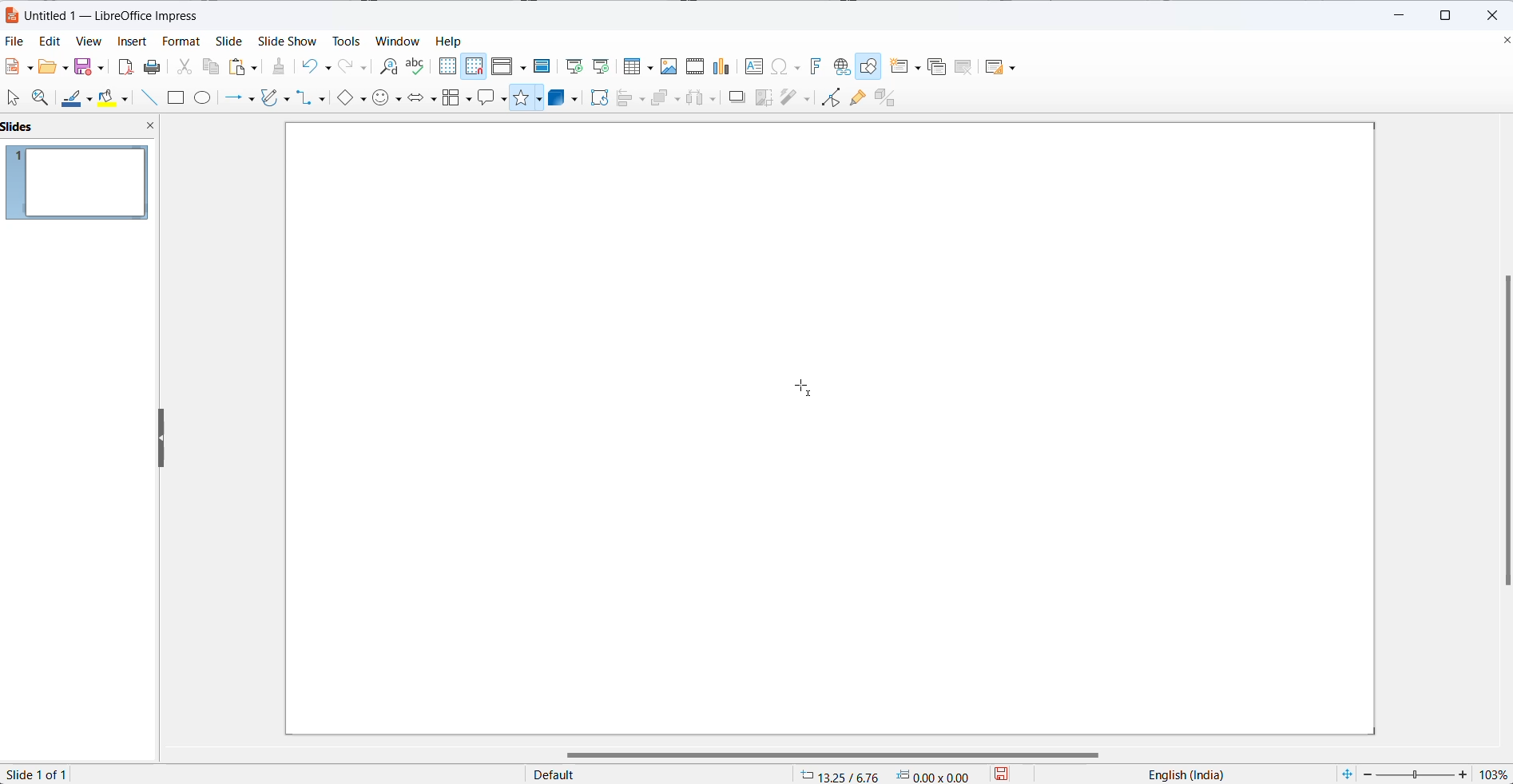 This screenshot has width=1513, height=784. Describe the element at coordinates (809, 390) in the screenshot. I see `cursor` at that location.